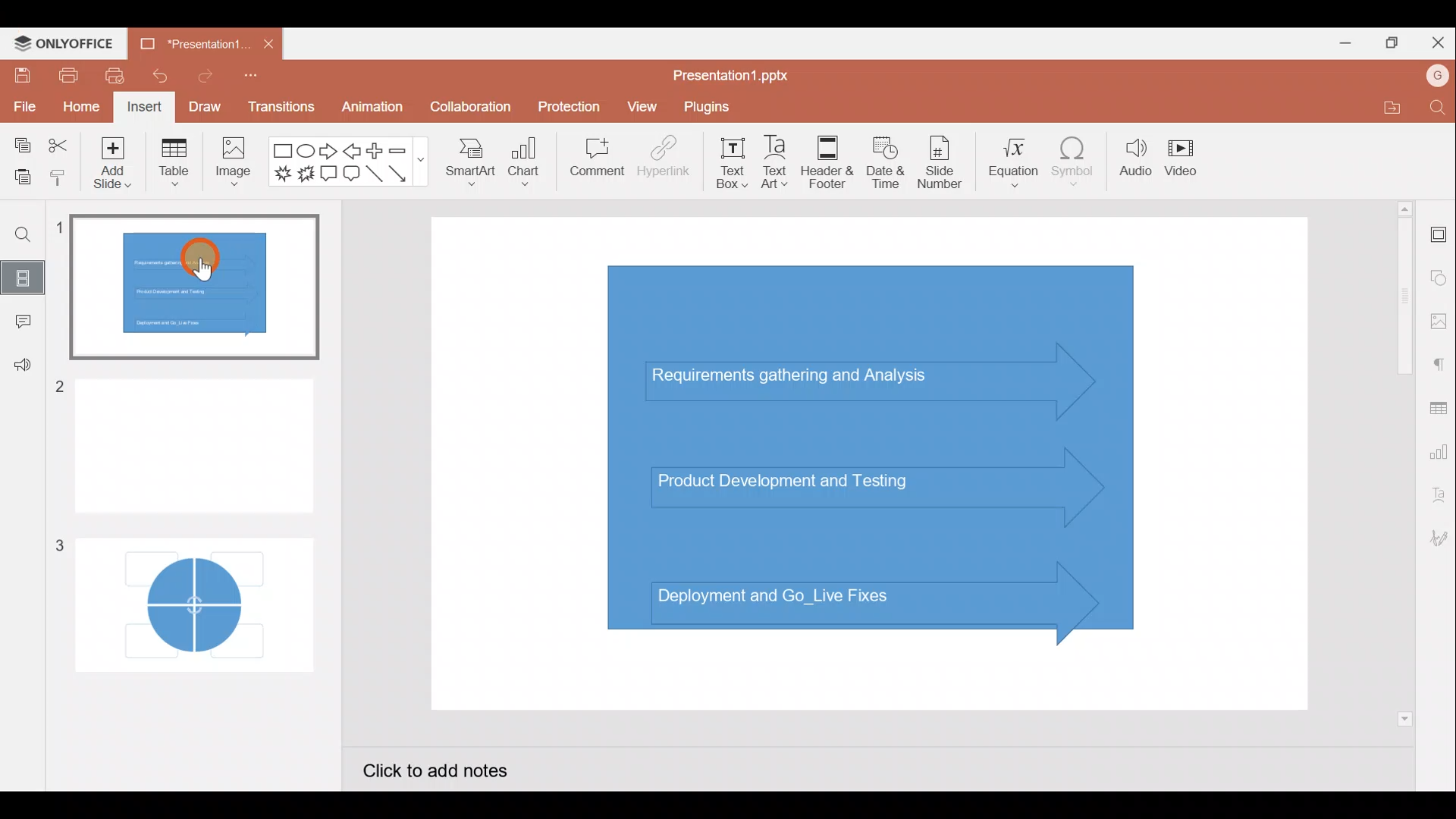  What do you see at coordinates (158, 77) in the screenshot?
I see `Undo` at bounding box center [158, 77].